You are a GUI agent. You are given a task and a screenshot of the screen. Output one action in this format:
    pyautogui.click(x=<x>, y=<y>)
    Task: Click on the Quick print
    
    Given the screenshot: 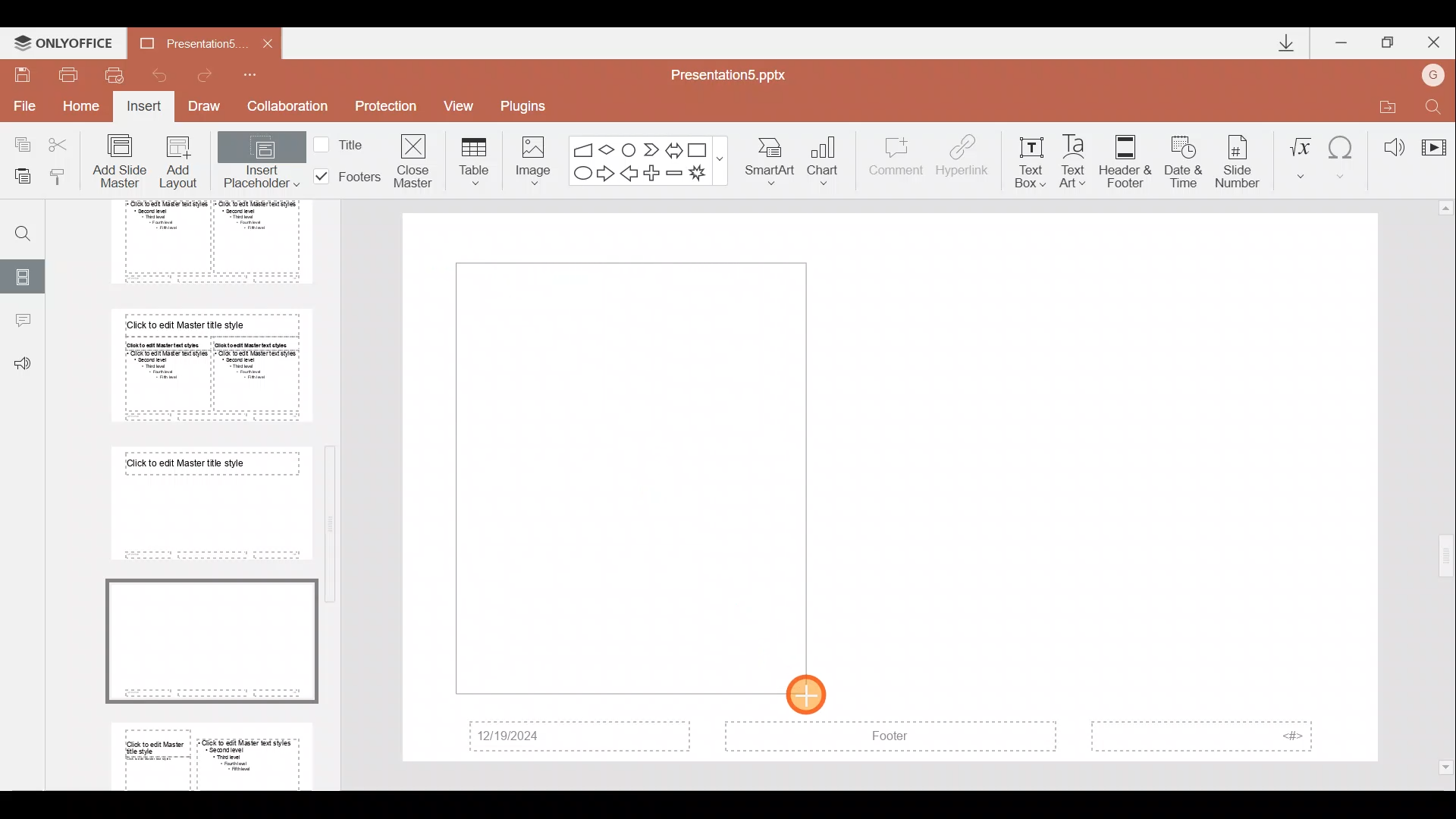 What is the action you would take?
    pyautogui.click(x=114, y=76)
    